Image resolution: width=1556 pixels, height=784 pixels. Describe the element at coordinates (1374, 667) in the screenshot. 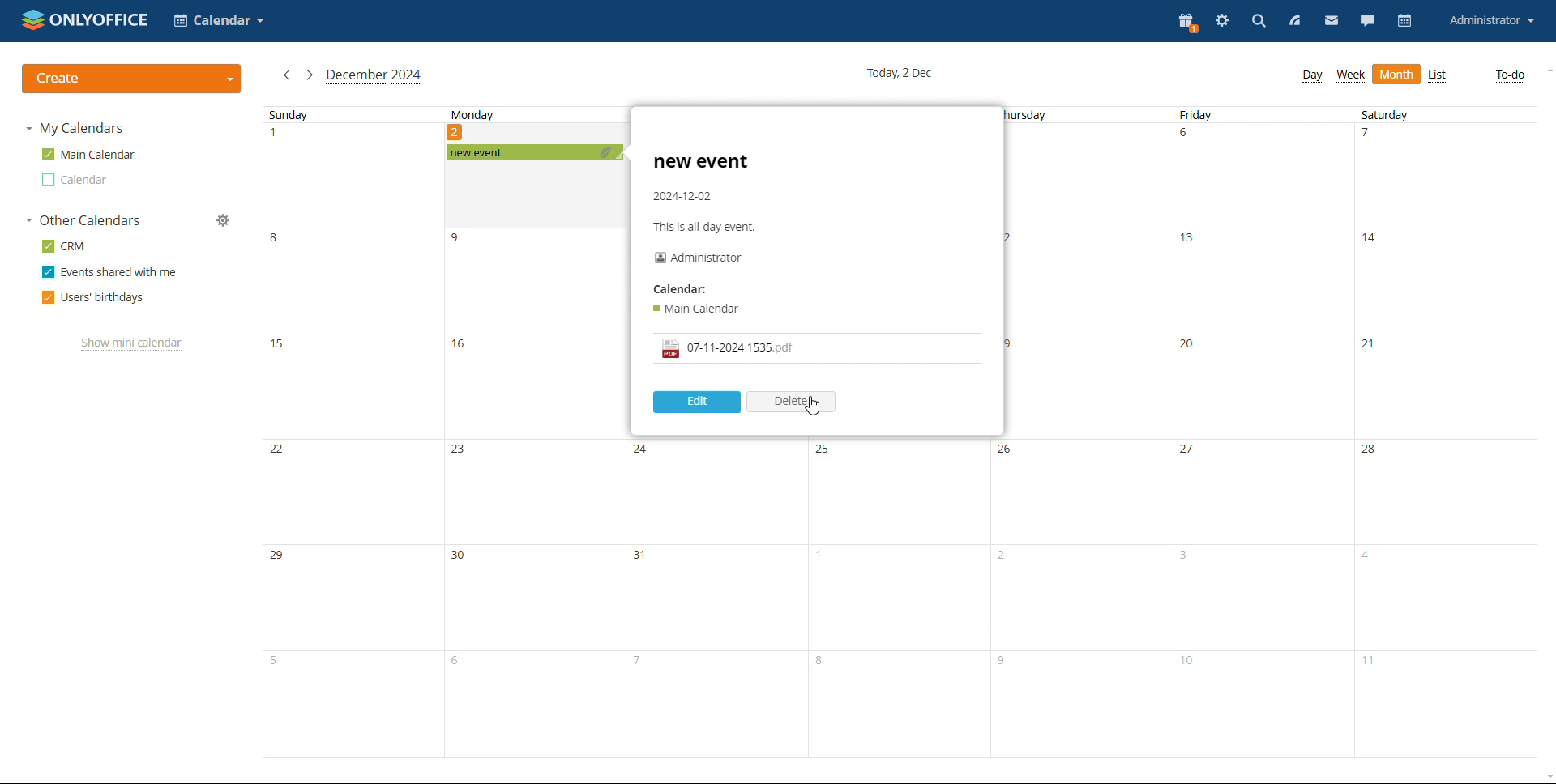

I see `11` at that location.